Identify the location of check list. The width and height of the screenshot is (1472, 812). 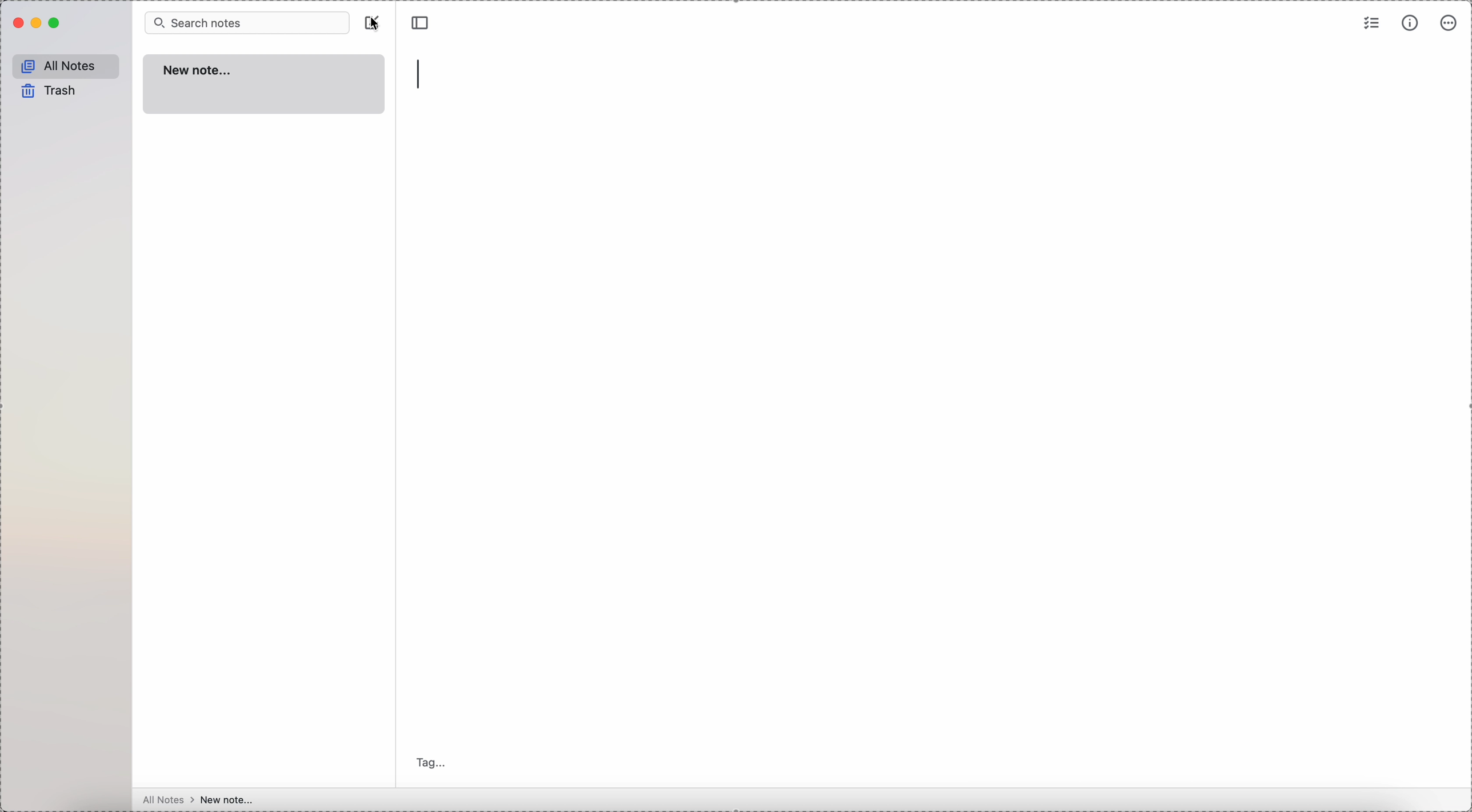
(1372, 22).